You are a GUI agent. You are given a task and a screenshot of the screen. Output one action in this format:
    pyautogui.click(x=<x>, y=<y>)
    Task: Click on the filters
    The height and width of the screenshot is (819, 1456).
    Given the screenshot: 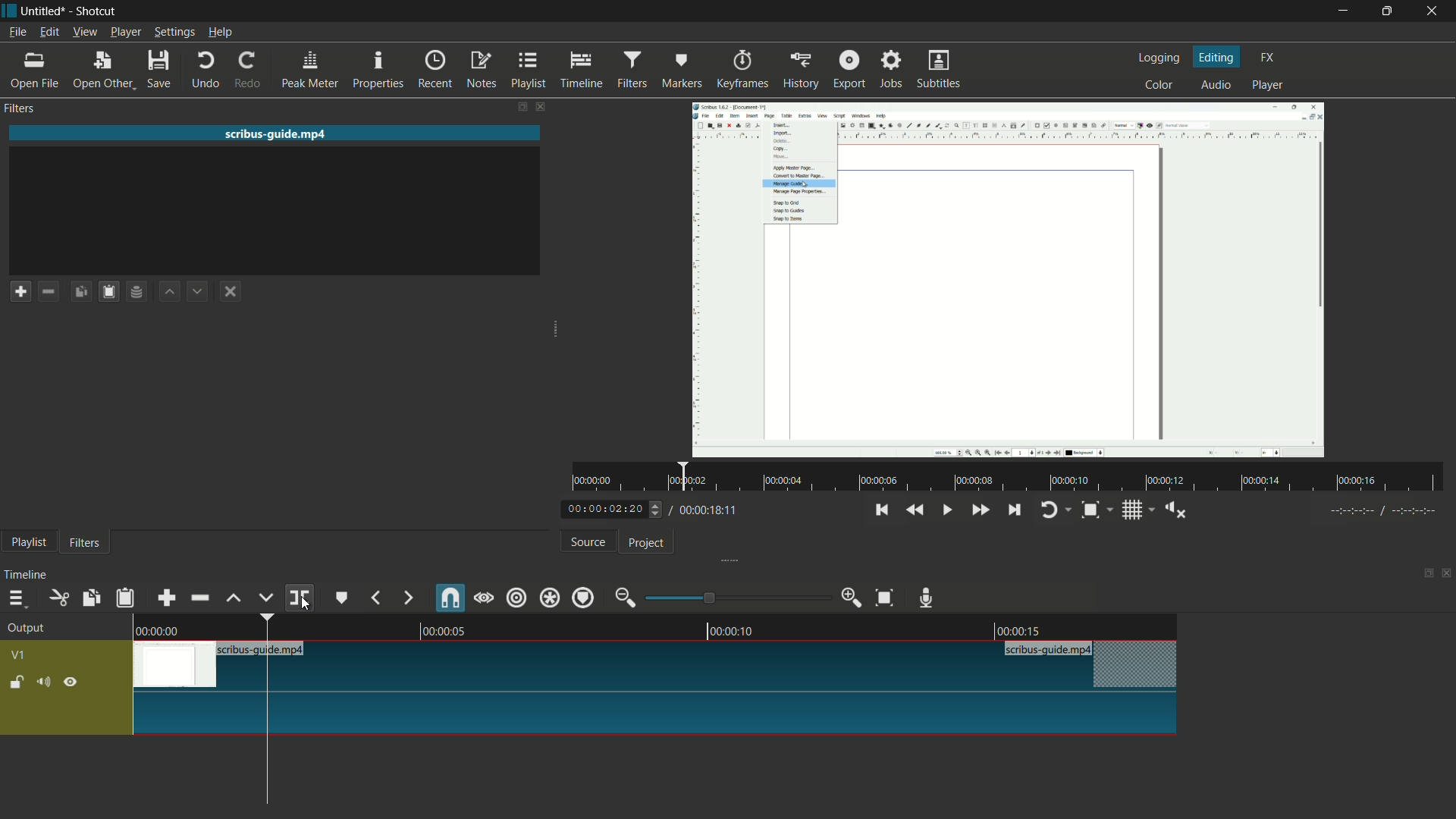 What is the action you would take?
    pyautogui.click(x=83, y=541)
    